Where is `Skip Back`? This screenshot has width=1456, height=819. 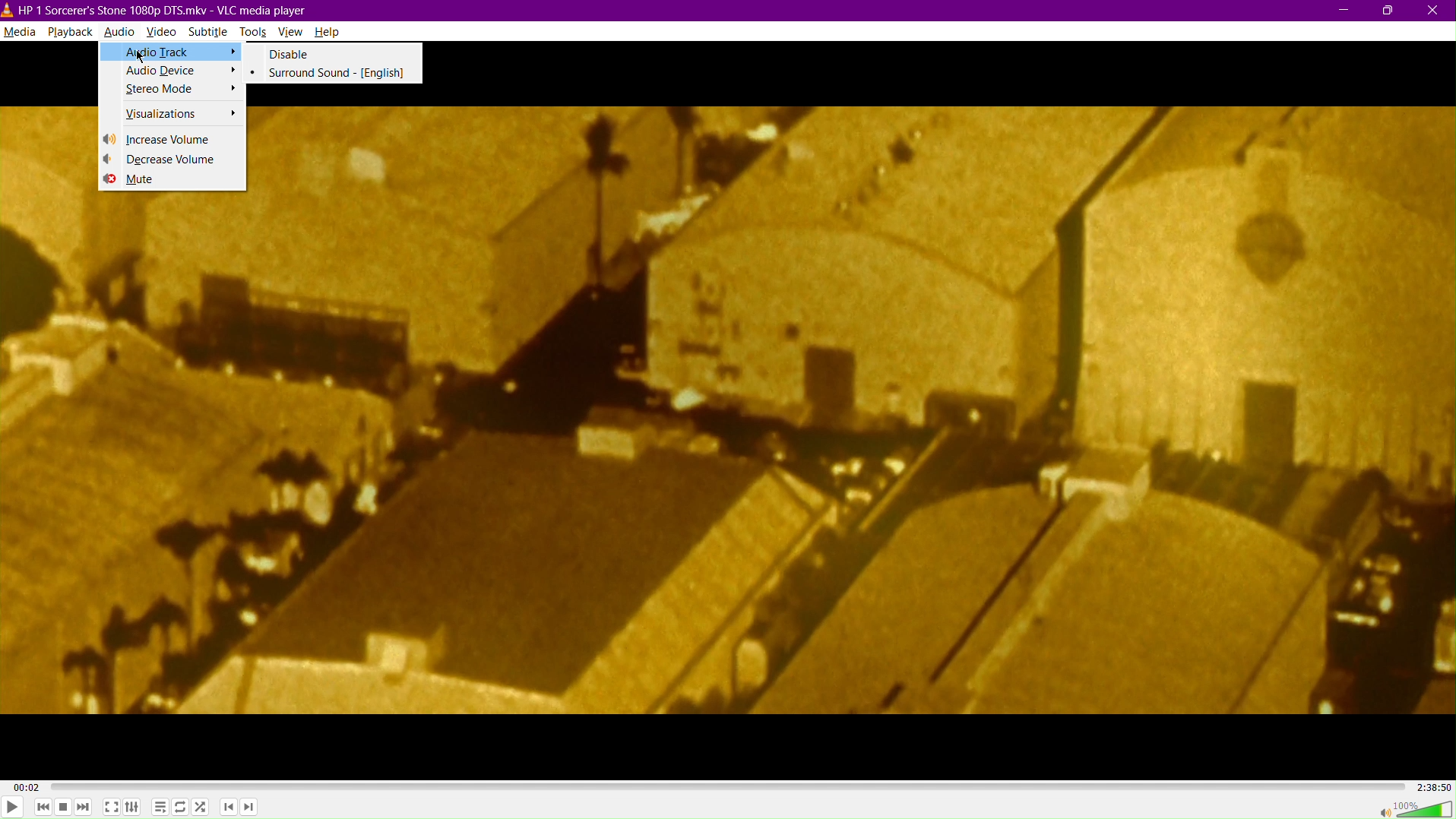
Skip Back is located at coordinates (43, 808).